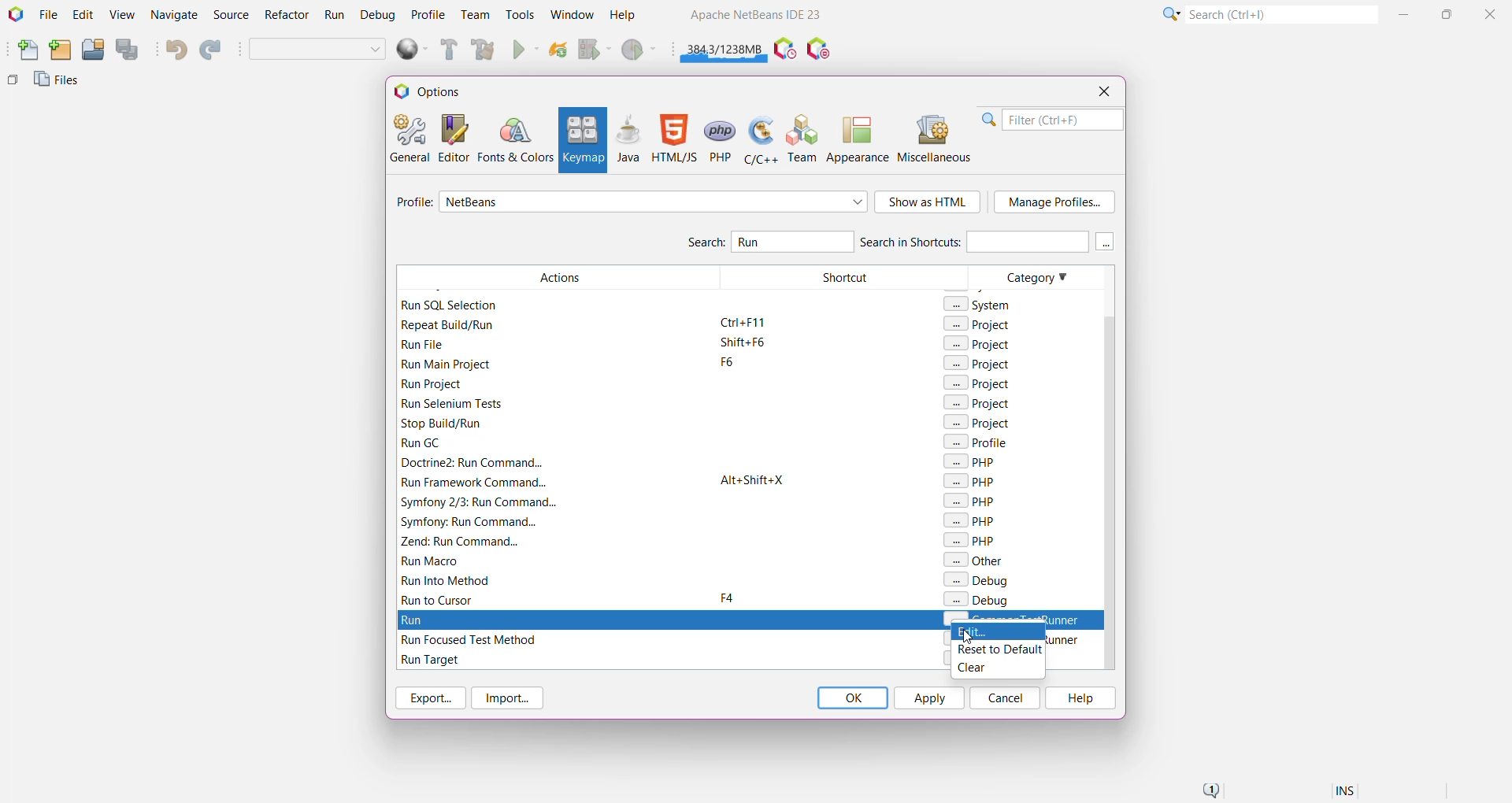 Image resolution: width=1512 pixels, height=803 pixels. Describe the element at coordinates (412, 204) in the screenshot. I see `Profile` at that location.